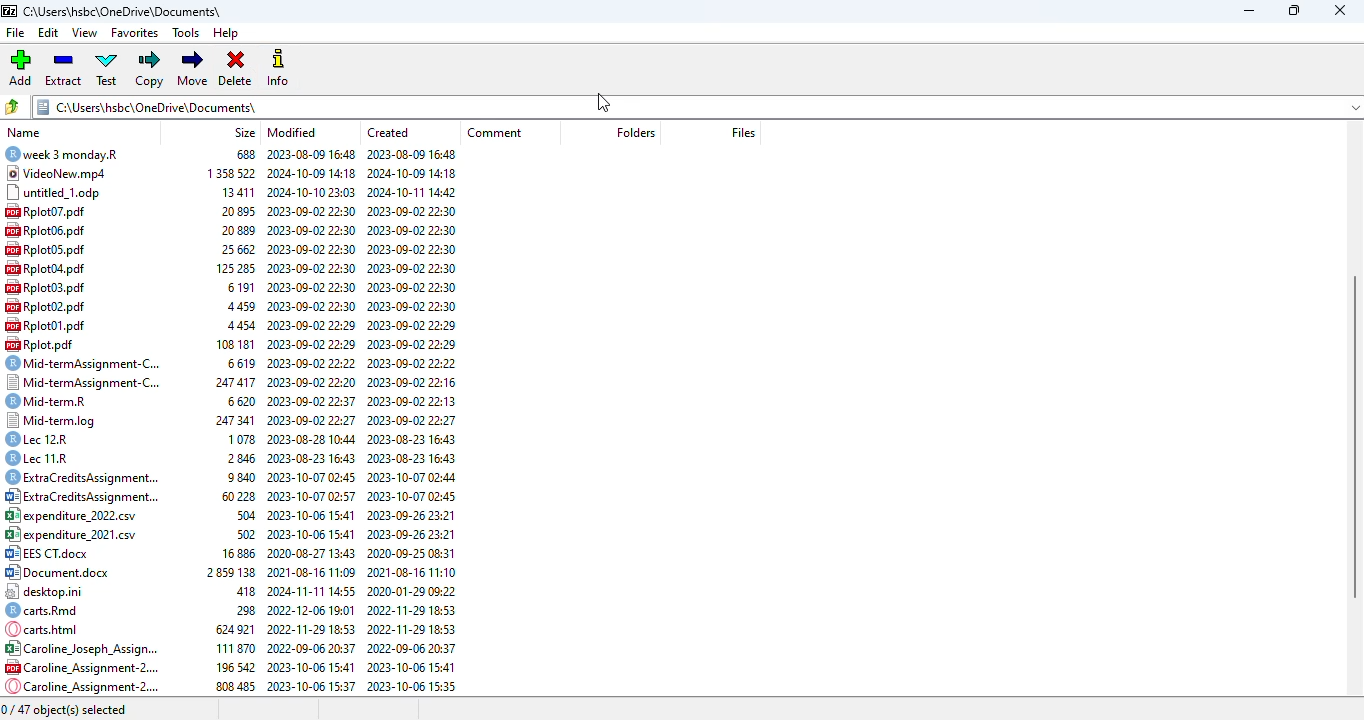  Describe the element at coordinates (28, 133) in the screenshot. I see `name` at that location.